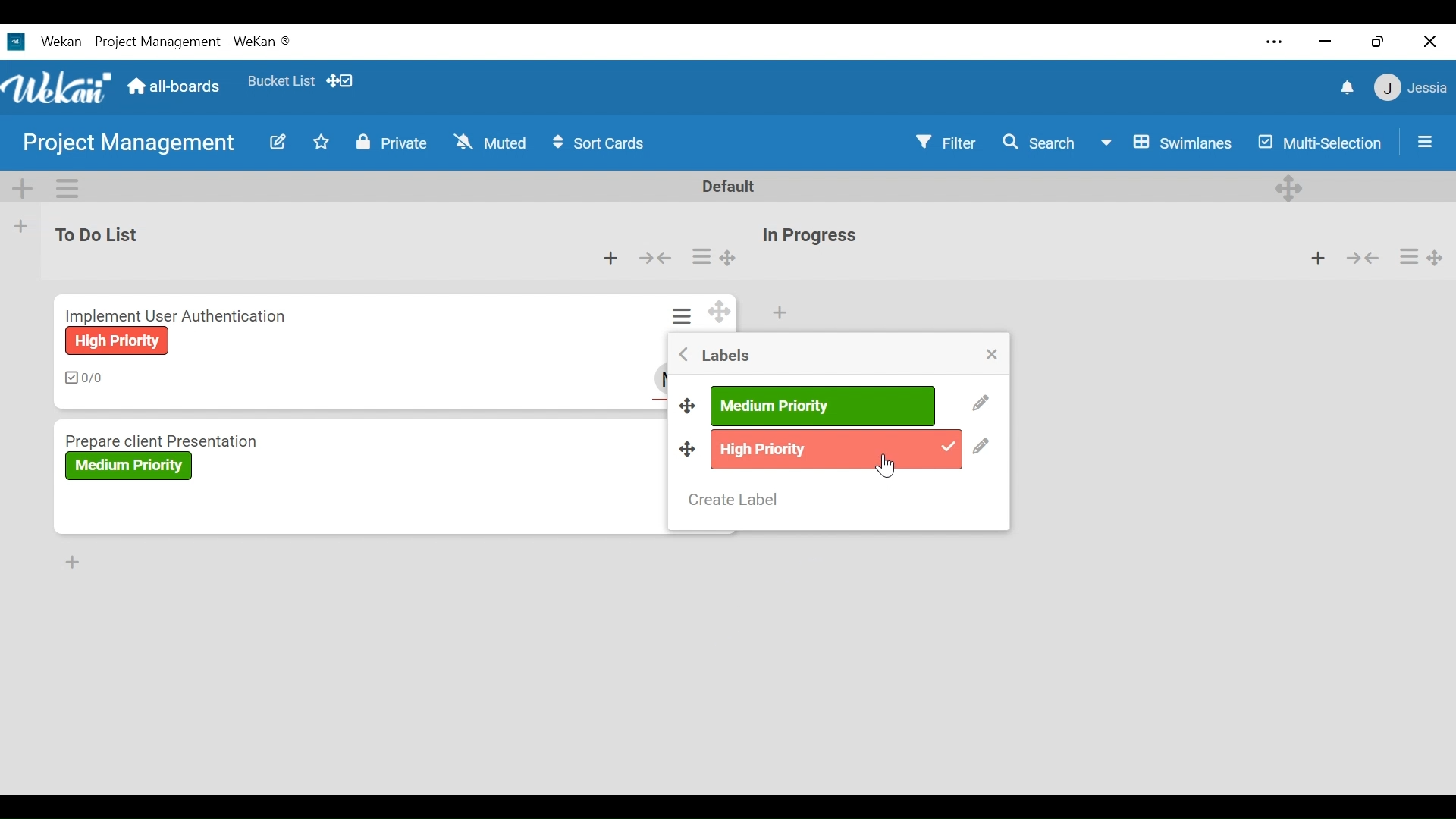 Image resolution: width=1456 pixels, height=819 pixels. Describe the element at coordinates (1273, 42) in the screenshot. I see `settings and more` at that location.